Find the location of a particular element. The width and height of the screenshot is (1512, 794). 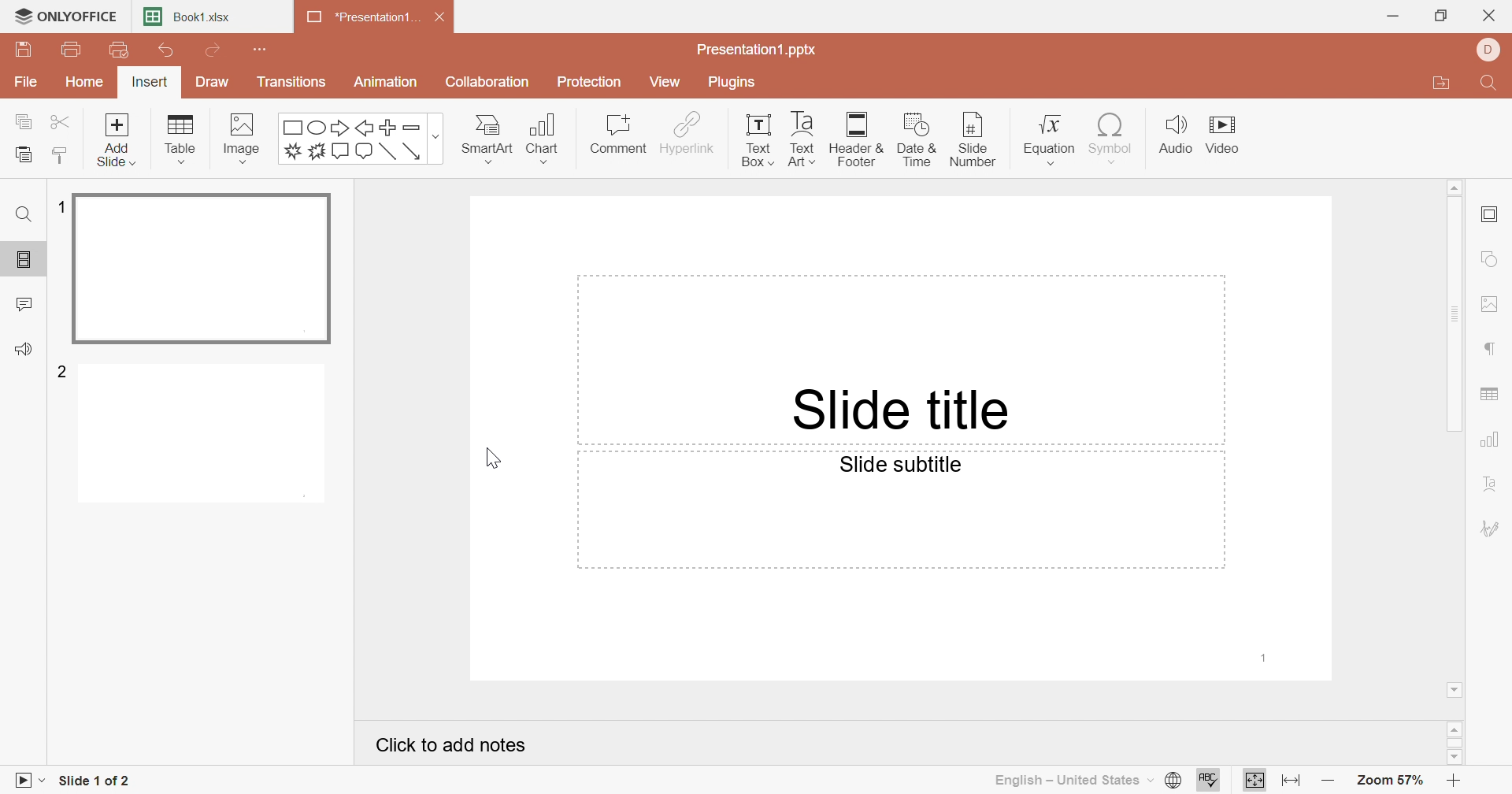

Image settings is located at coordinates (1494, 306).